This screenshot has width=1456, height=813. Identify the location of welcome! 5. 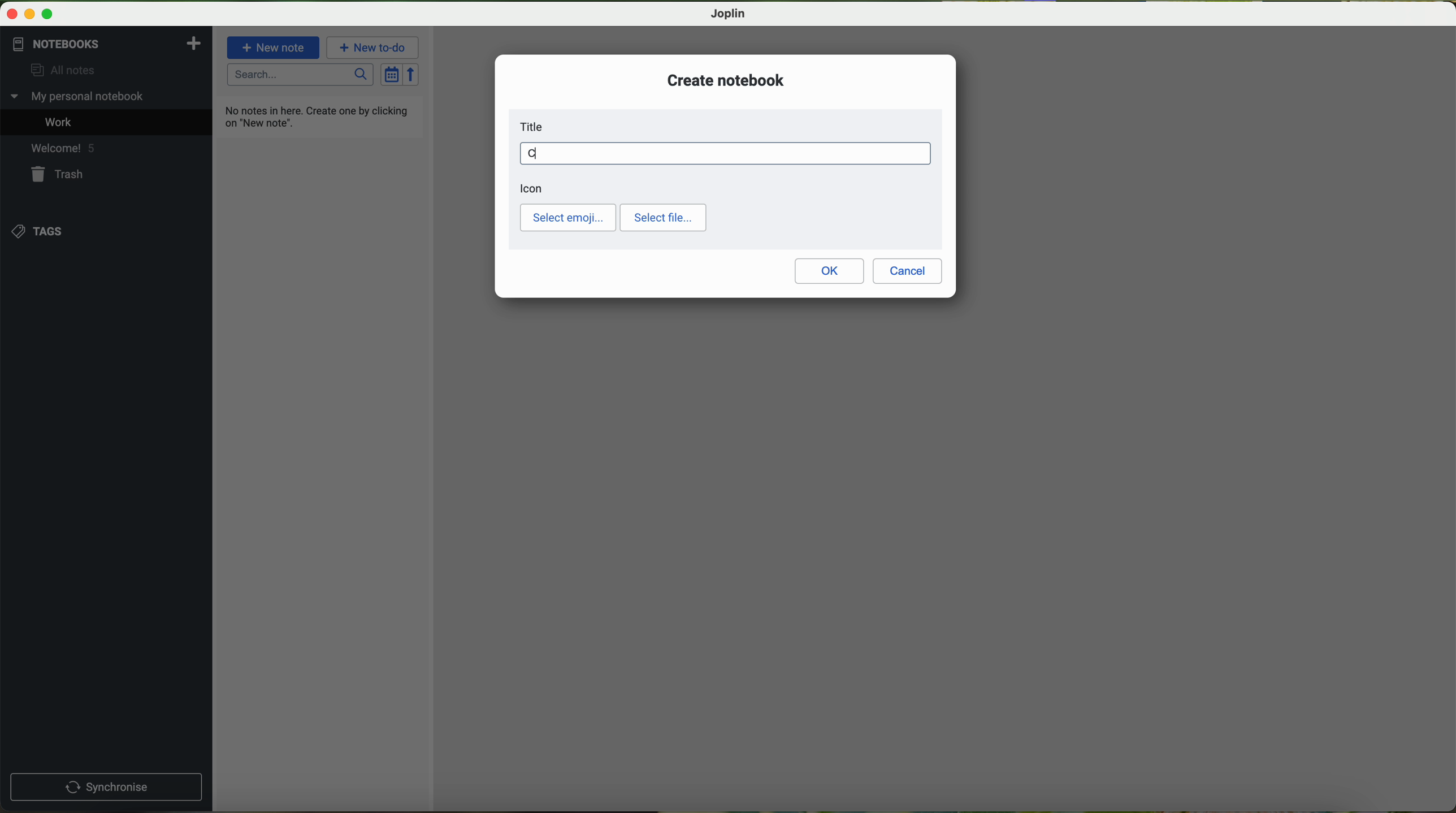
(62, 147).